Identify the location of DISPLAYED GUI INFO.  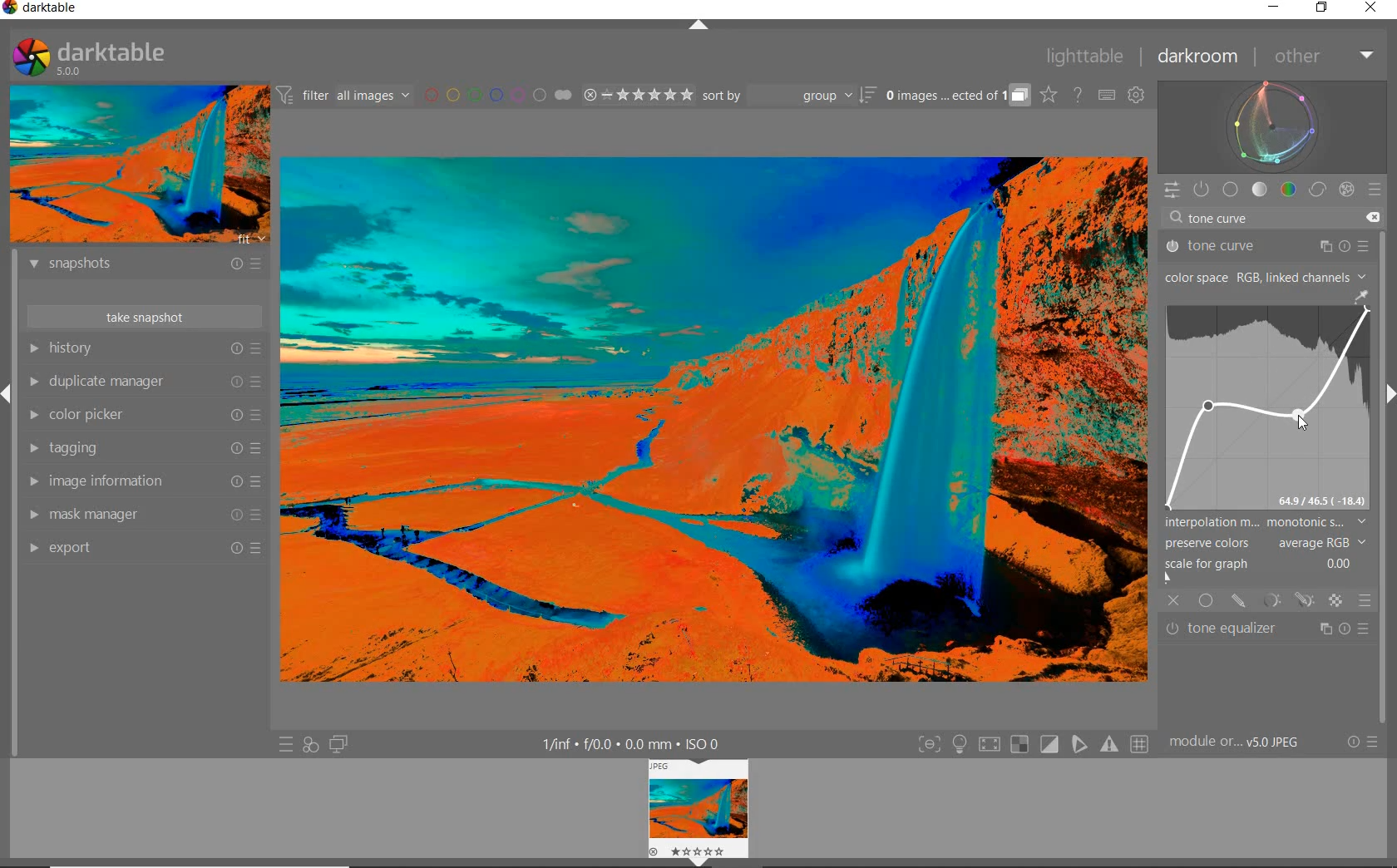
(635, 743).